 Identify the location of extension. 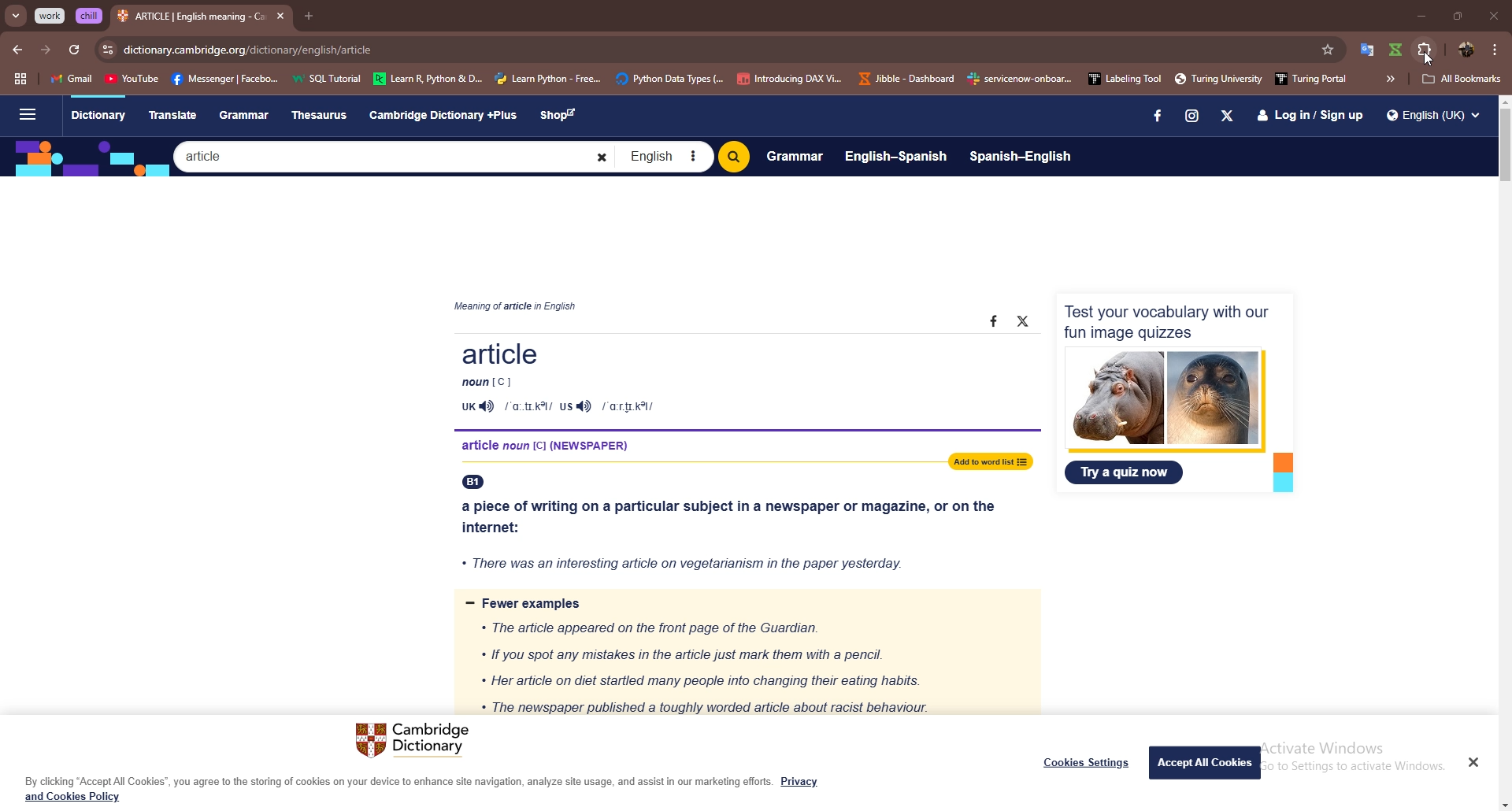
(1364, 50).